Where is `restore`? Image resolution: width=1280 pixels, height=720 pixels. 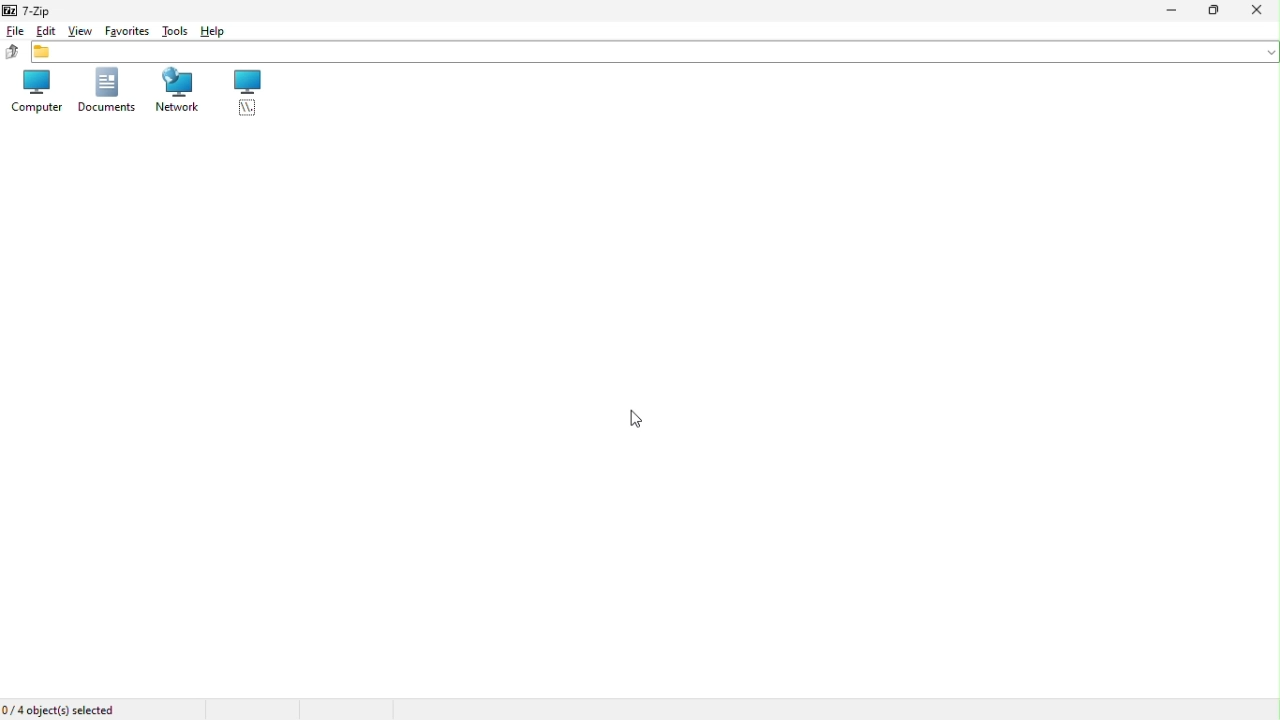 restore is located at coordinates (1218, 11).